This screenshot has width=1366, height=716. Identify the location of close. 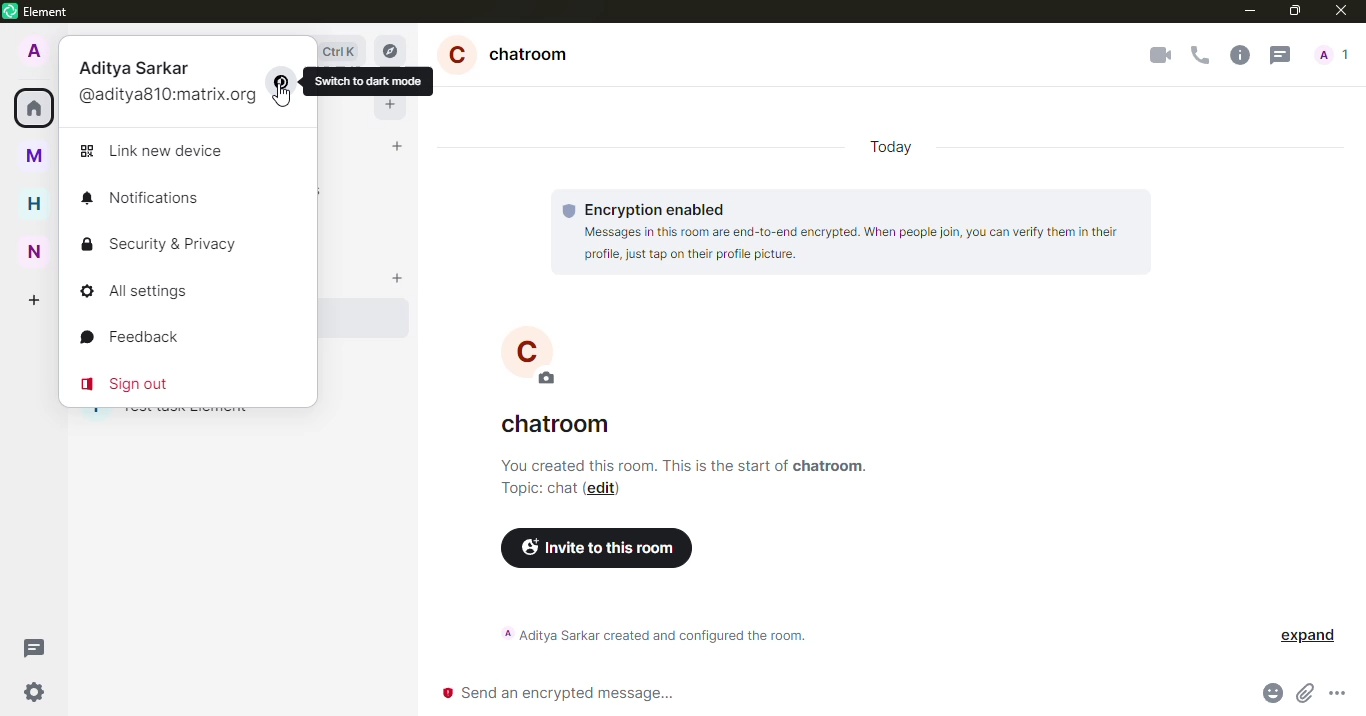
(1339, 11).